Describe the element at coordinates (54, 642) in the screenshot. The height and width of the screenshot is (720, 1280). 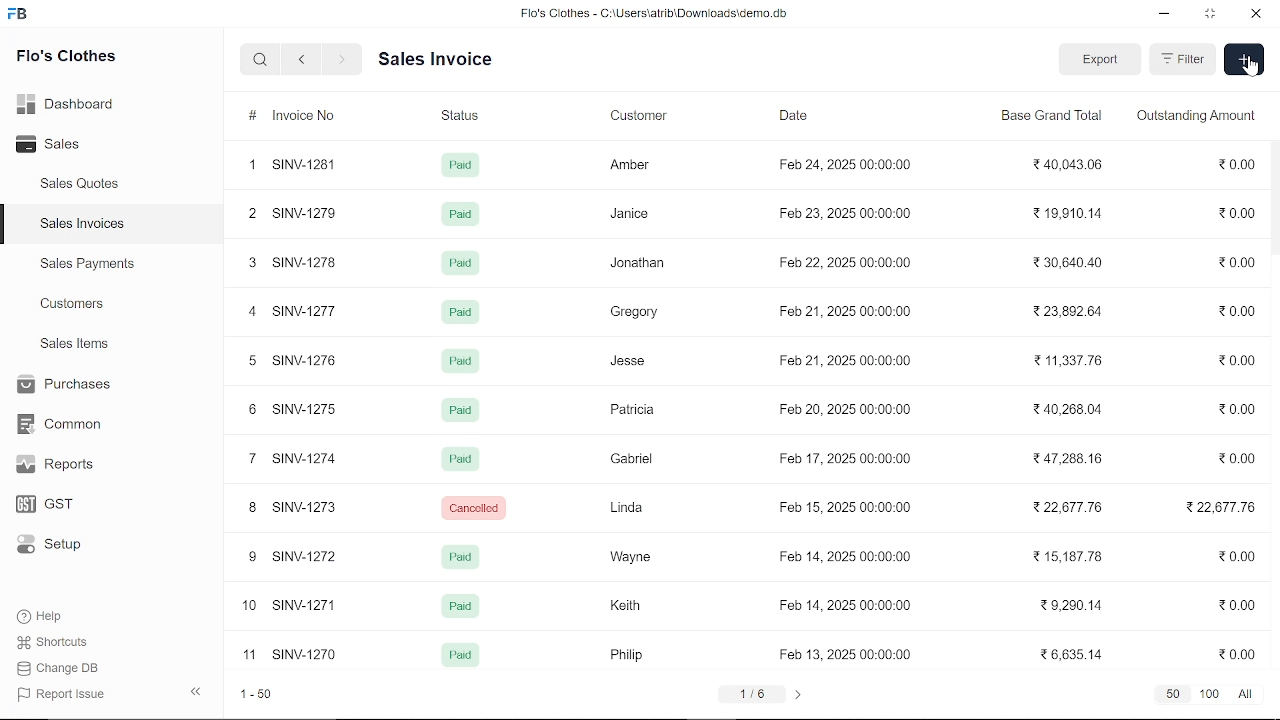
I see `Shortcuts` at that location.